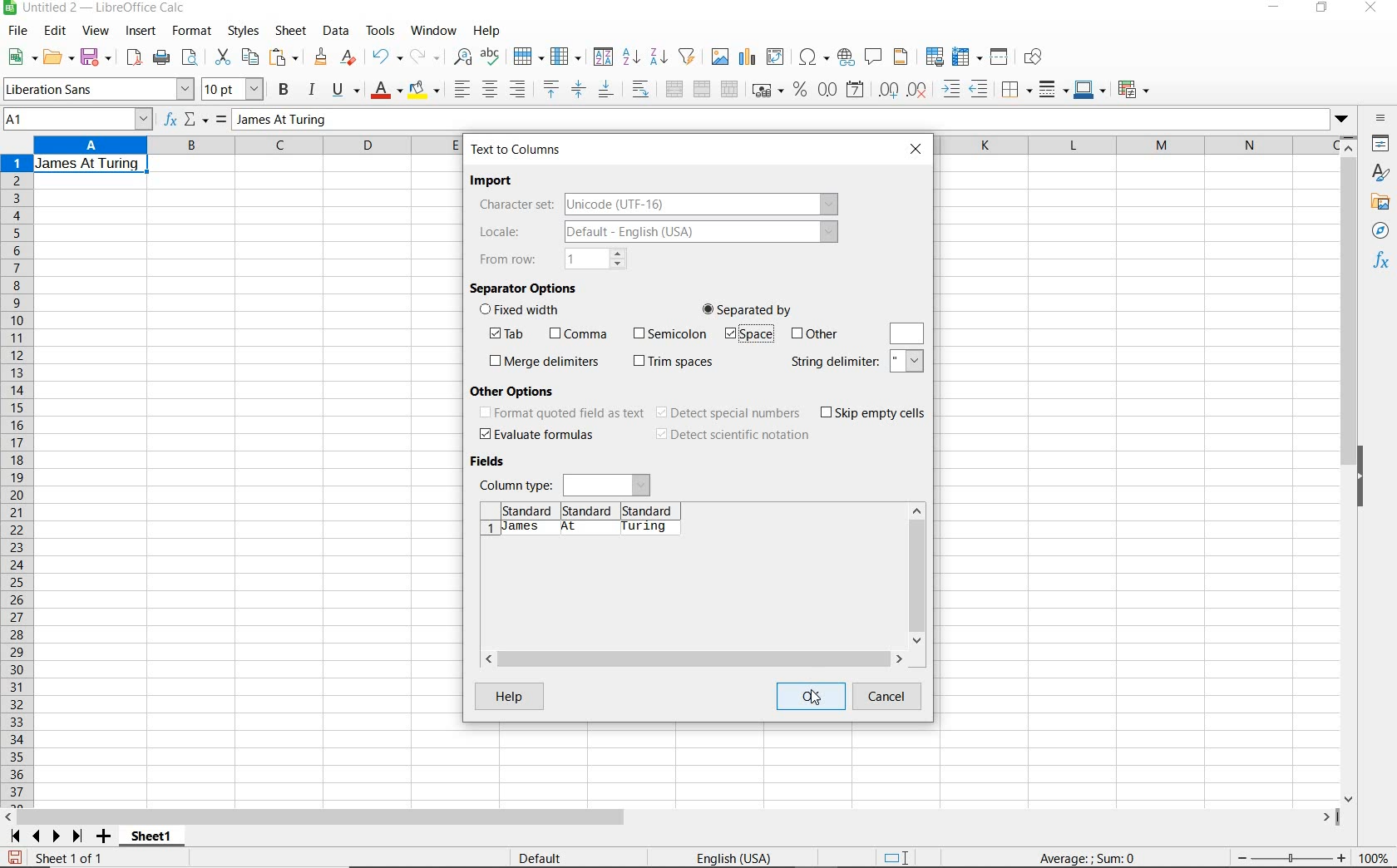 Image resolution: width=1397 pixels, height=868 pixels. What do you see at coordinates (875, 57) in the screenshot?
I see `insert comment` at bounding box center [875, 57].